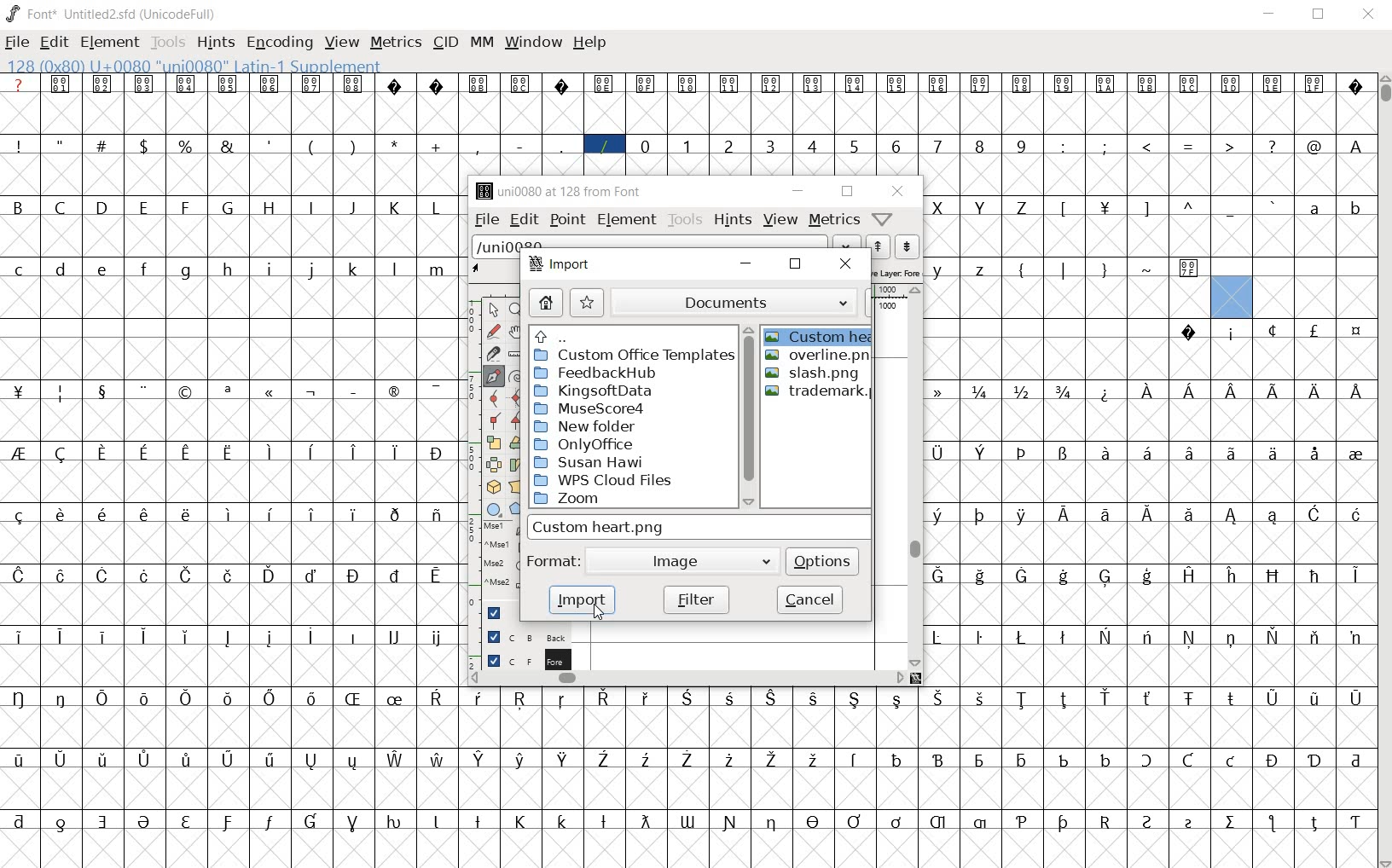  What do you see at coordinates (813, 84) in the screenshot?
I see `glyph` at bounding box center [813, 84].